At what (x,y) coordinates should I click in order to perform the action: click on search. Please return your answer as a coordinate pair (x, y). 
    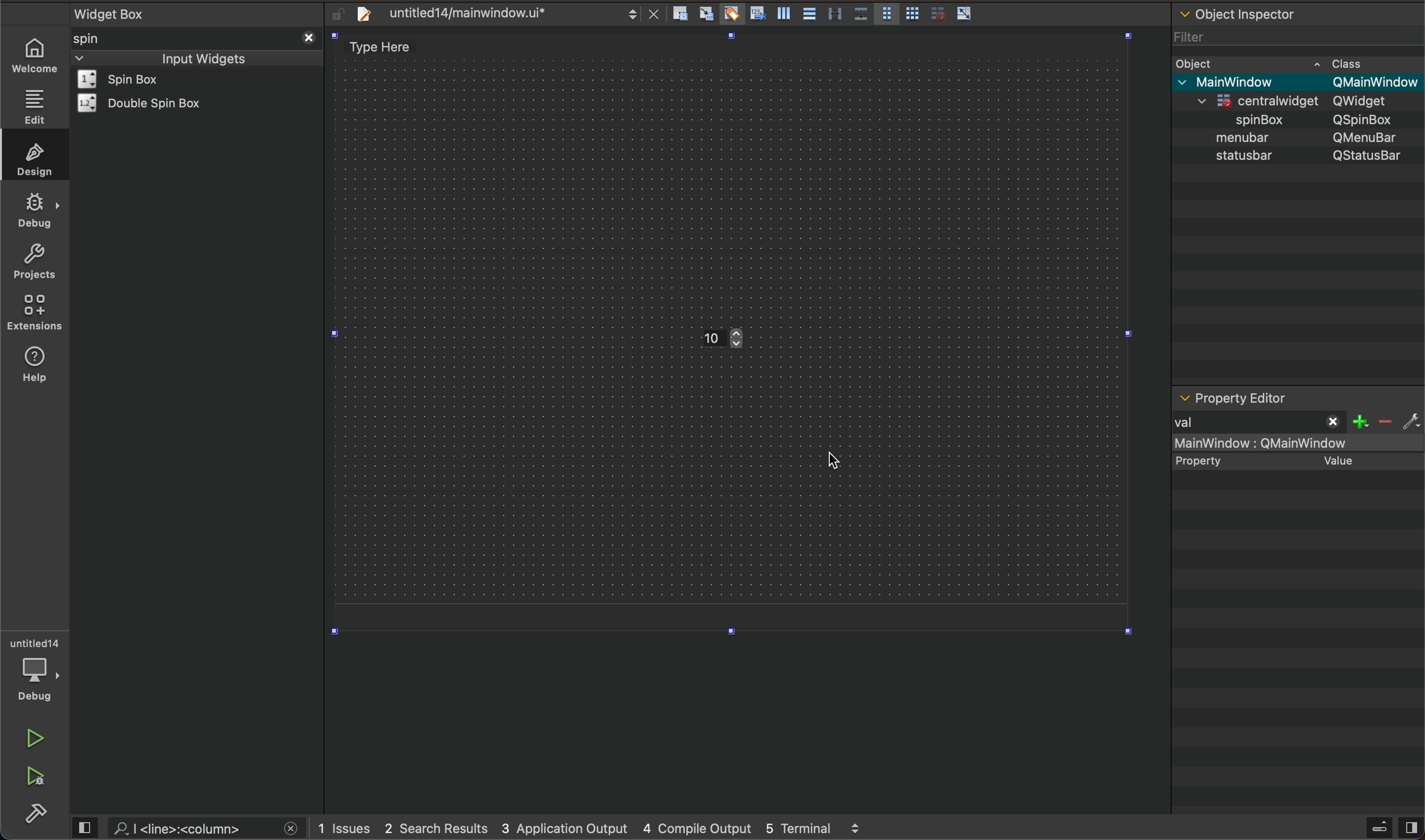
    Looking at the image, I should click on (191, 828).